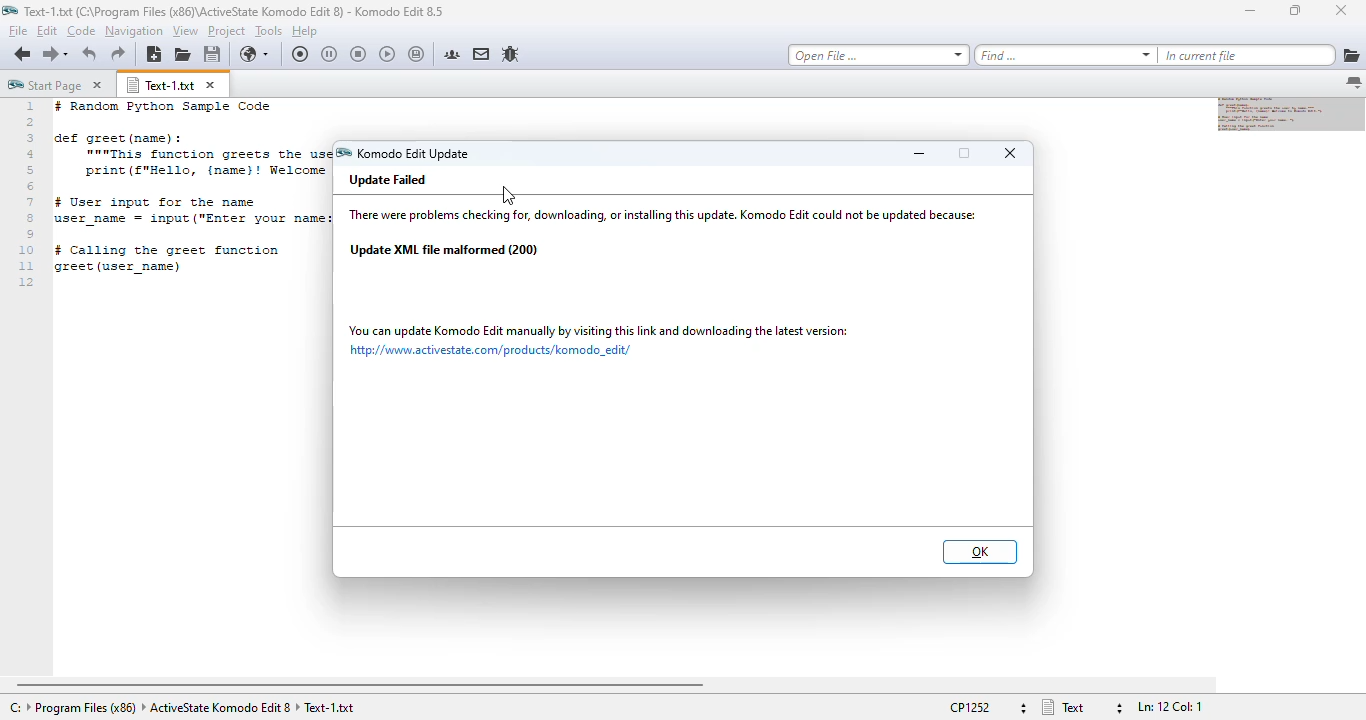  Describe the element at coordinates (879, 55) in the screenshot. I see `open file` at that location.